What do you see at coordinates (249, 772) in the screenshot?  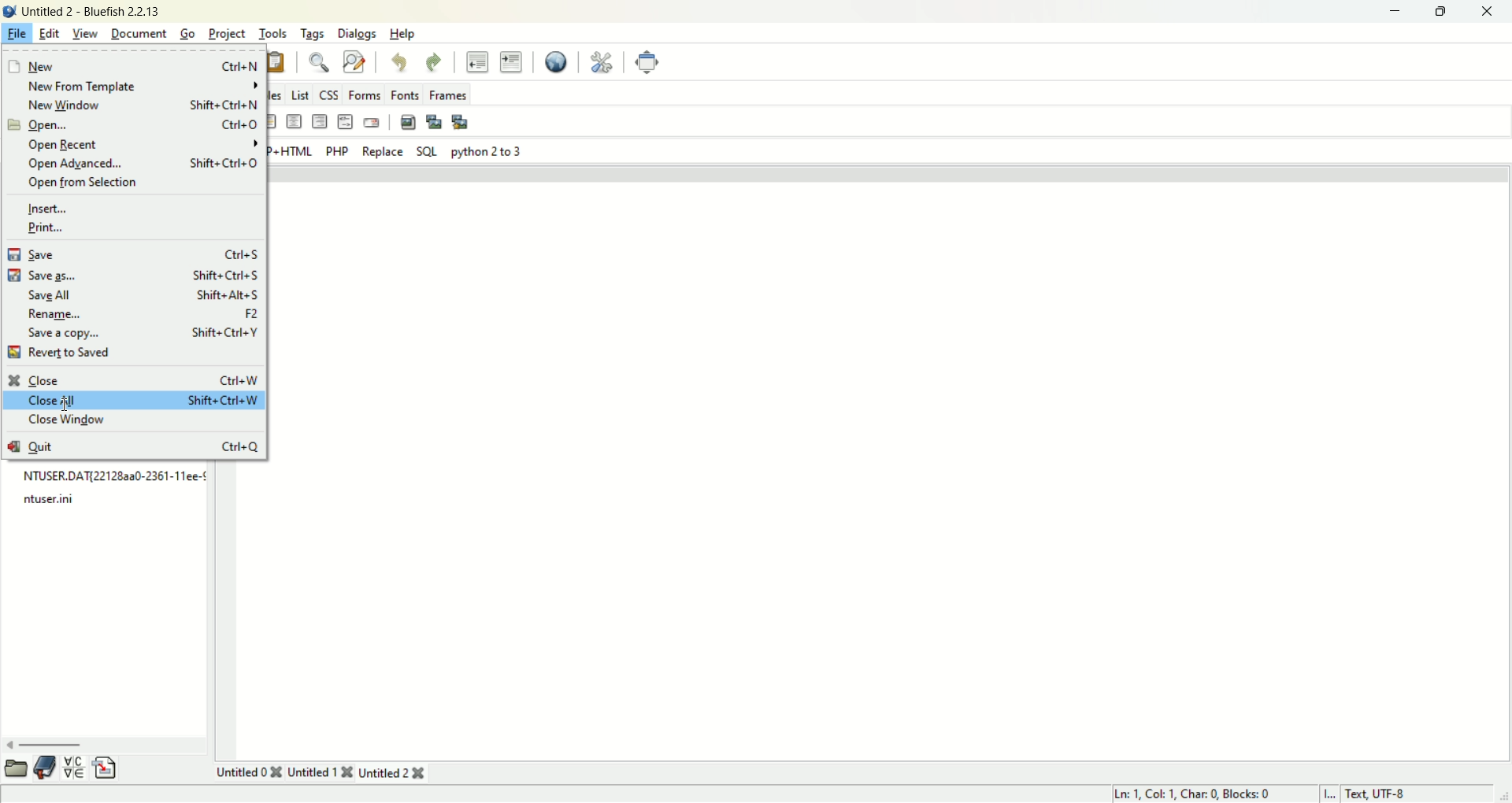 I see `untitle0` at bounding box center [249, 772].